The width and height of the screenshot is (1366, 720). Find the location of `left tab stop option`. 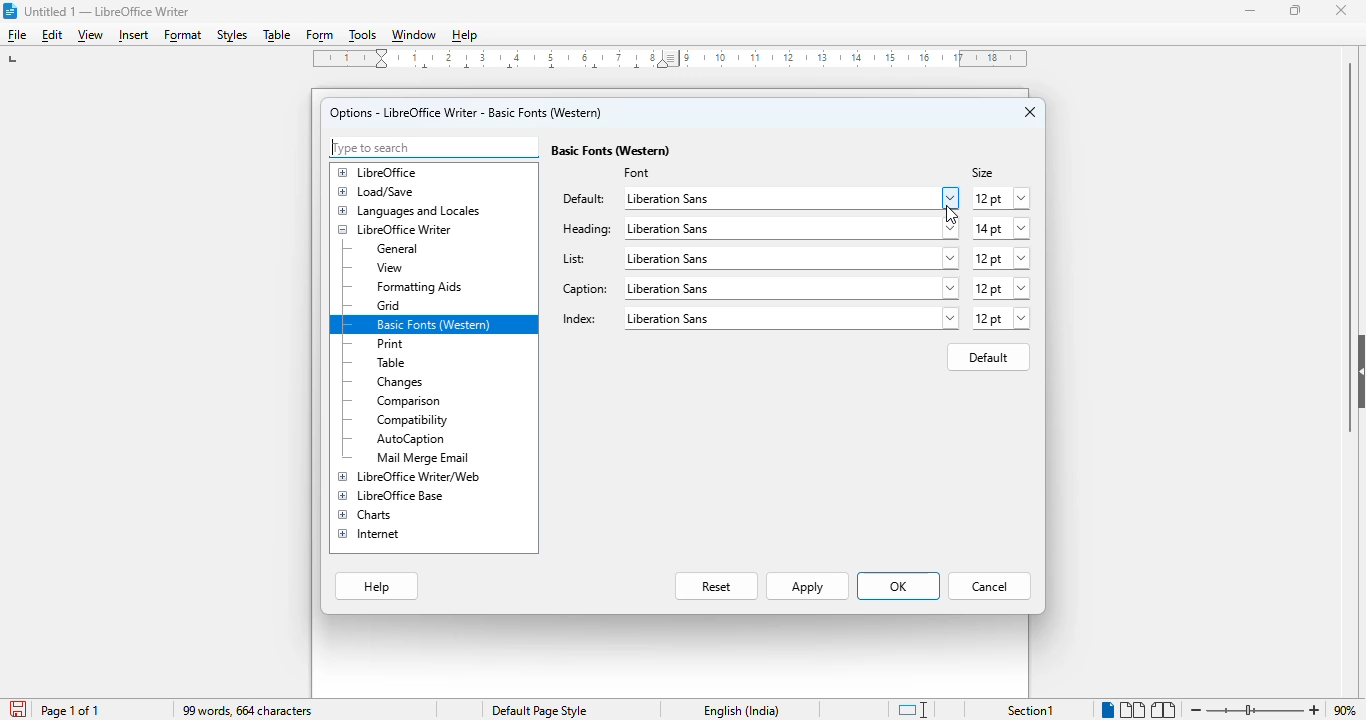

left tab stop option is located at coordinates (16, 59).